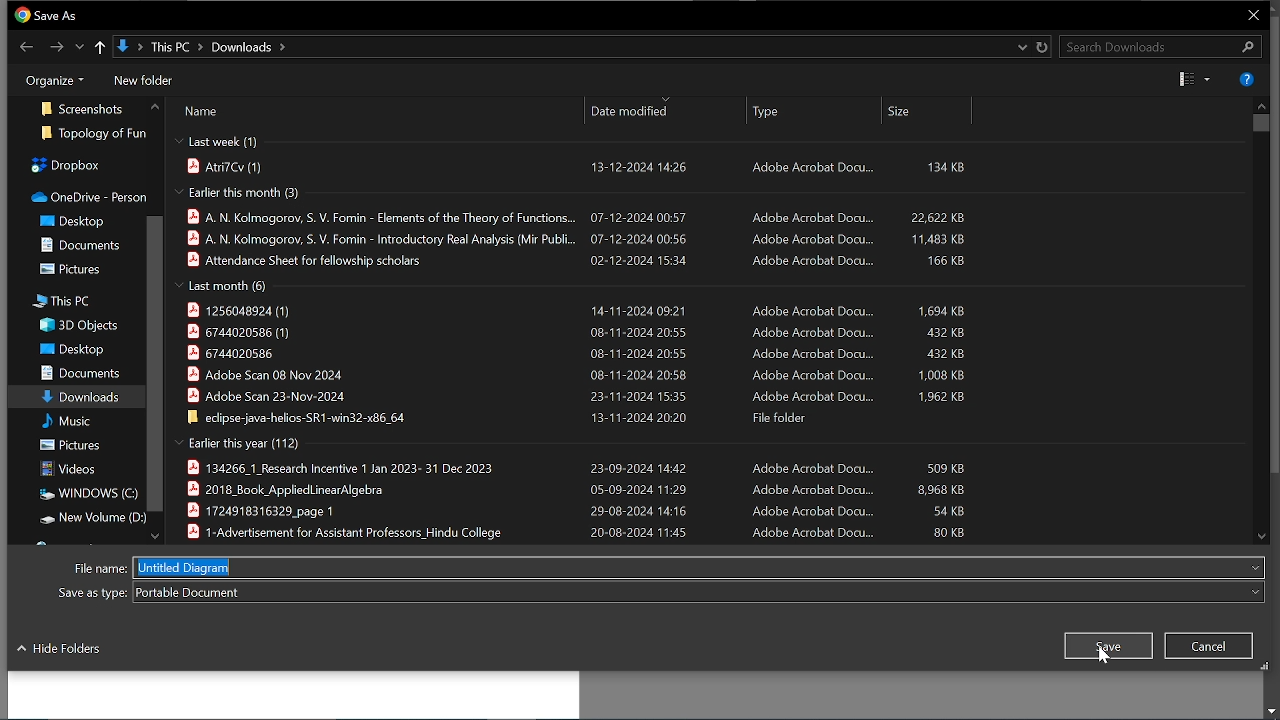 This screenshot has height=720, width=1280. Describe the element at coordinates (1210, 646) in the screenshot. I see `Close` at that location.